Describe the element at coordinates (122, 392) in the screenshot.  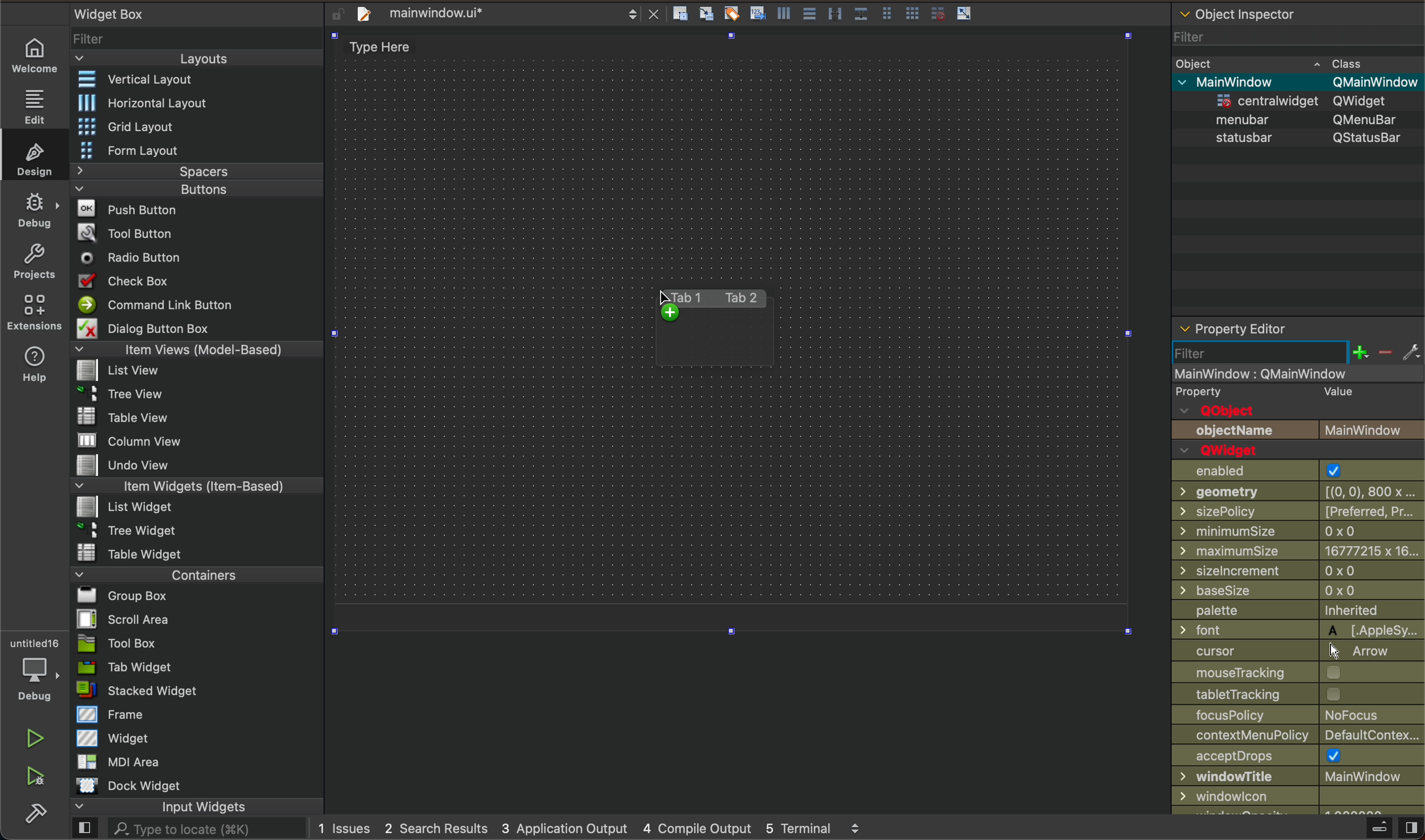
I see ` Tree View` at that location.